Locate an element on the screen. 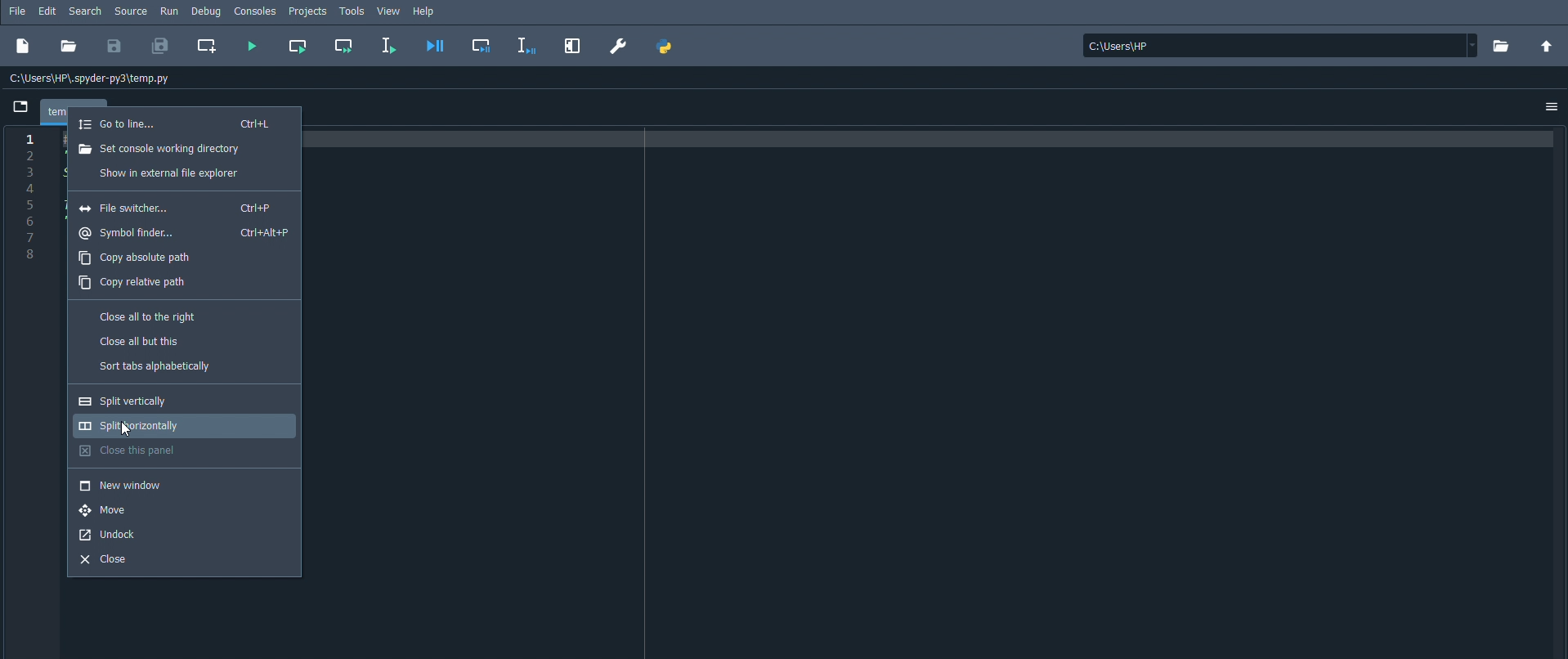  Run current cell and go to the next one is located at coordinates (343, 46).